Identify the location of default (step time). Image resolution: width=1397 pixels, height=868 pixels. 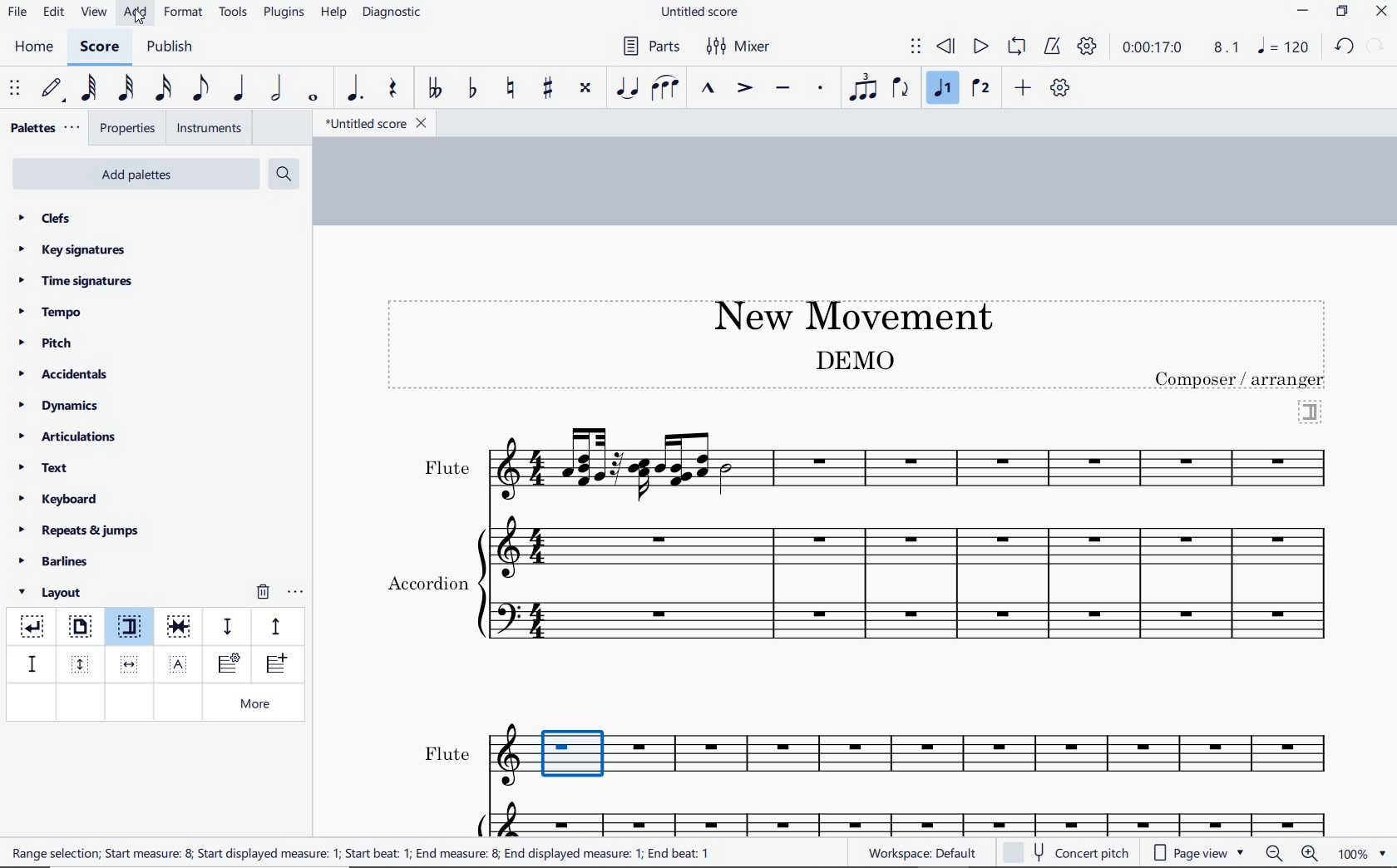
(53, 89).